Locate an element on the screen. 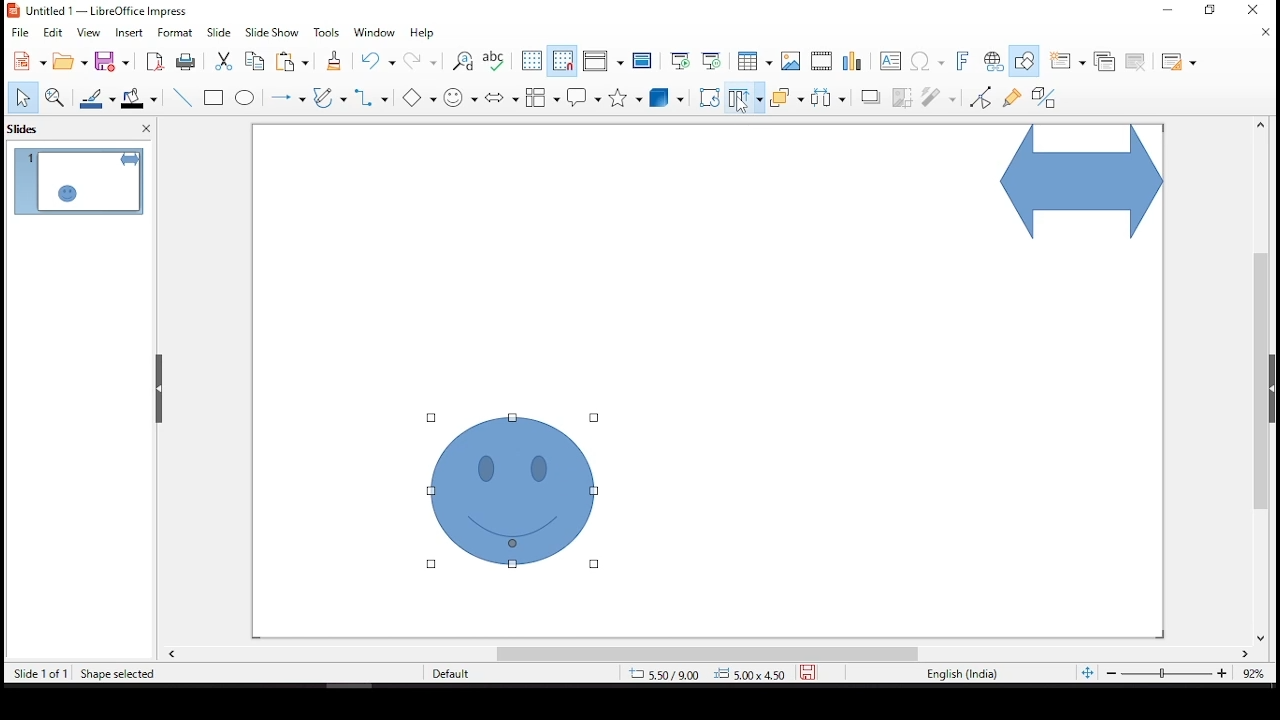  insert special characters is located at coordinates (929, 62).